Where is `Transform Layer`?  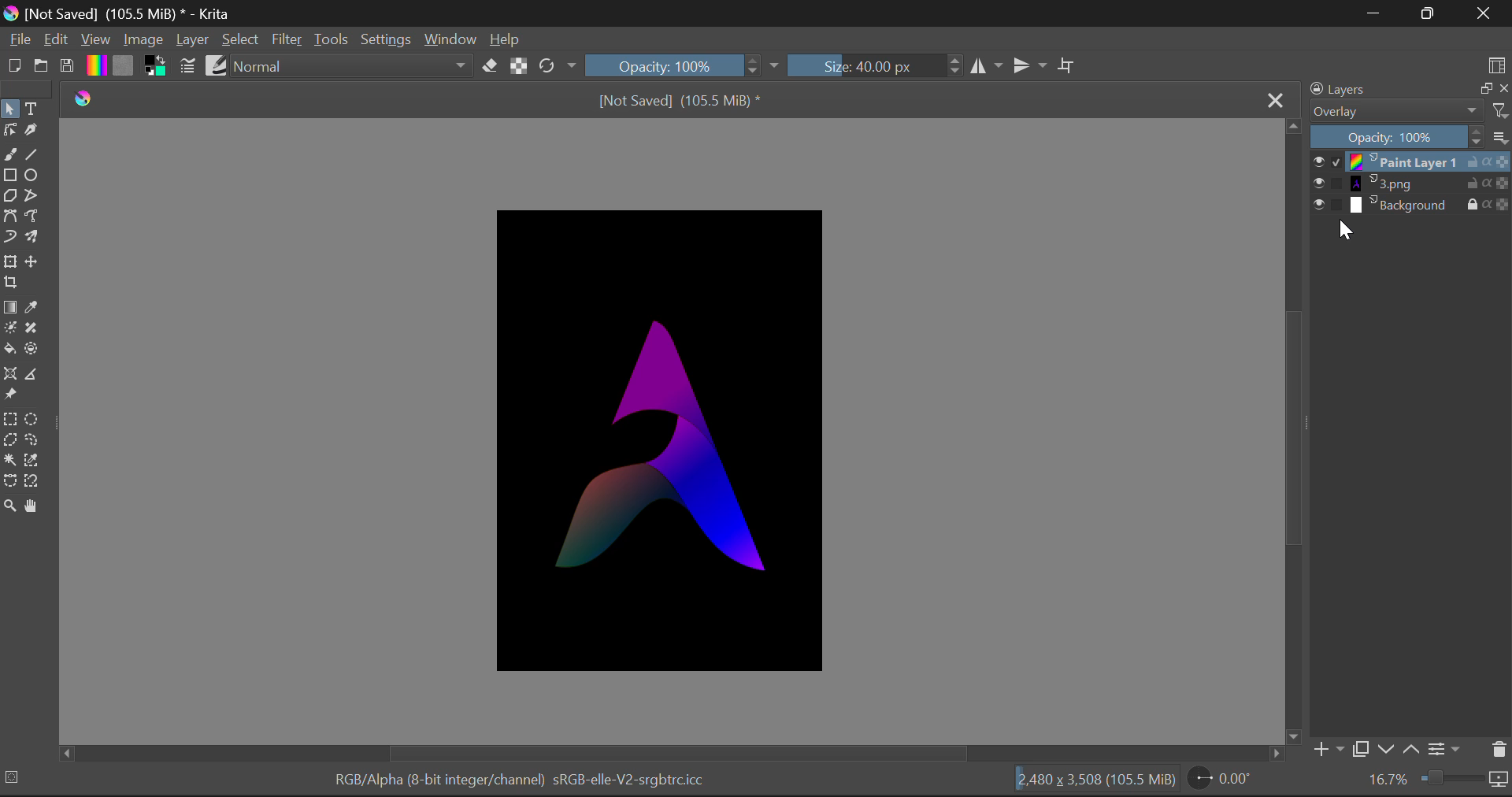 Transform Layer is located at coordinates (13, 261).